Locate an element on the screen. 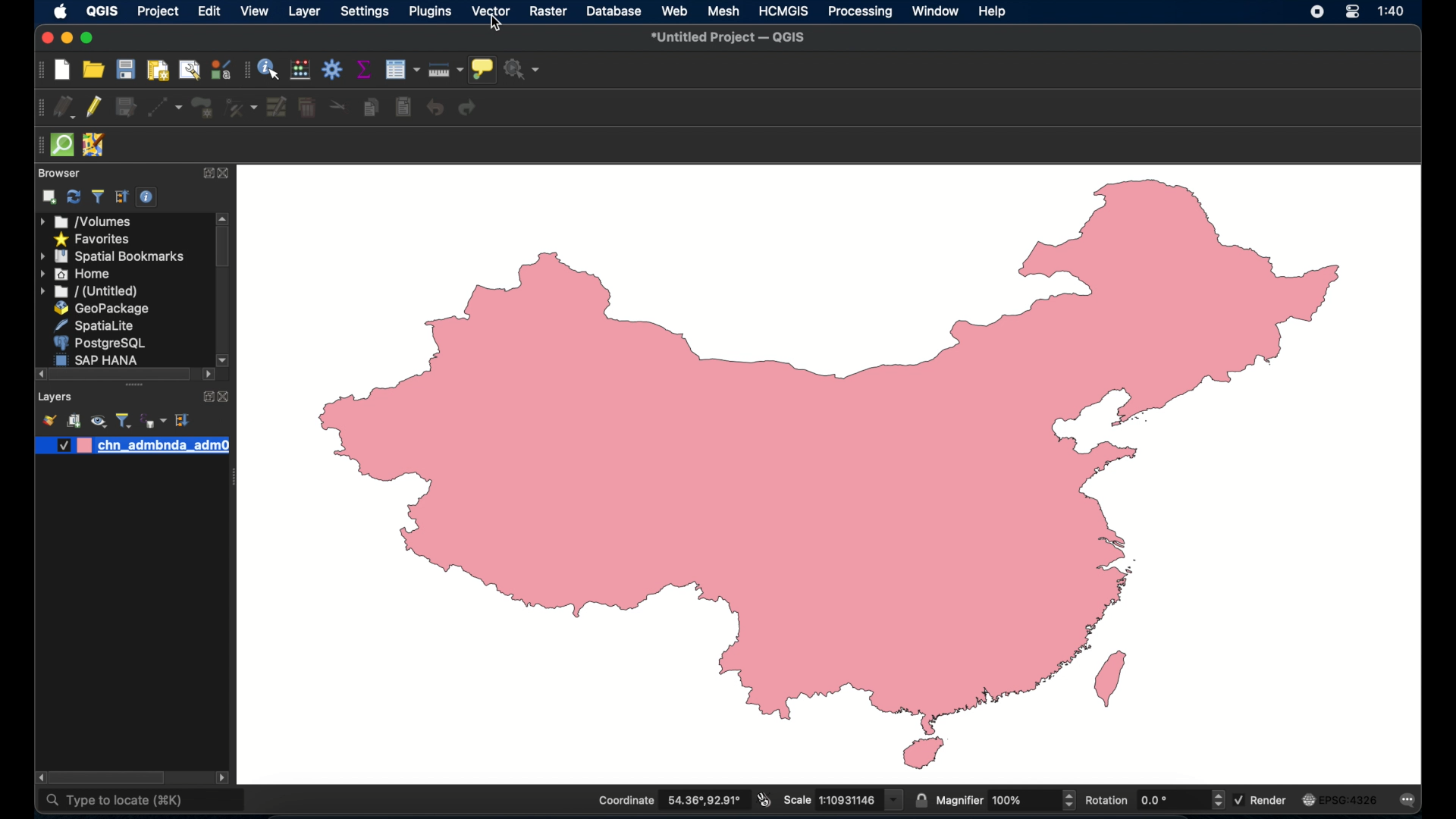 This screenshot has width=1456, height=819. digitizing toolbar is located at coordinates (40, 108).